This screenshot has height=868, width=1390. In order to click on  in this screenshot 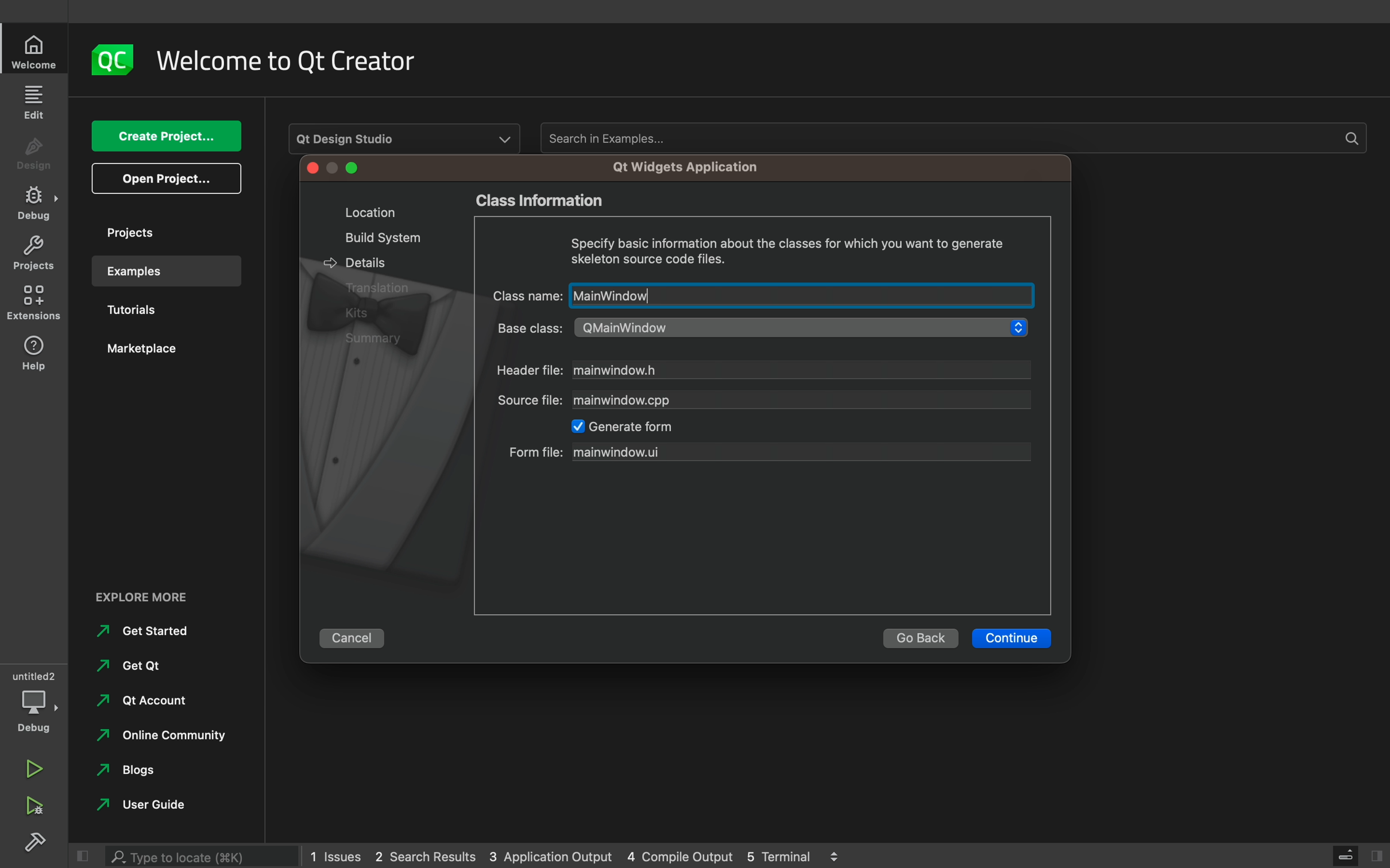, I will do `click(370, 237)`.